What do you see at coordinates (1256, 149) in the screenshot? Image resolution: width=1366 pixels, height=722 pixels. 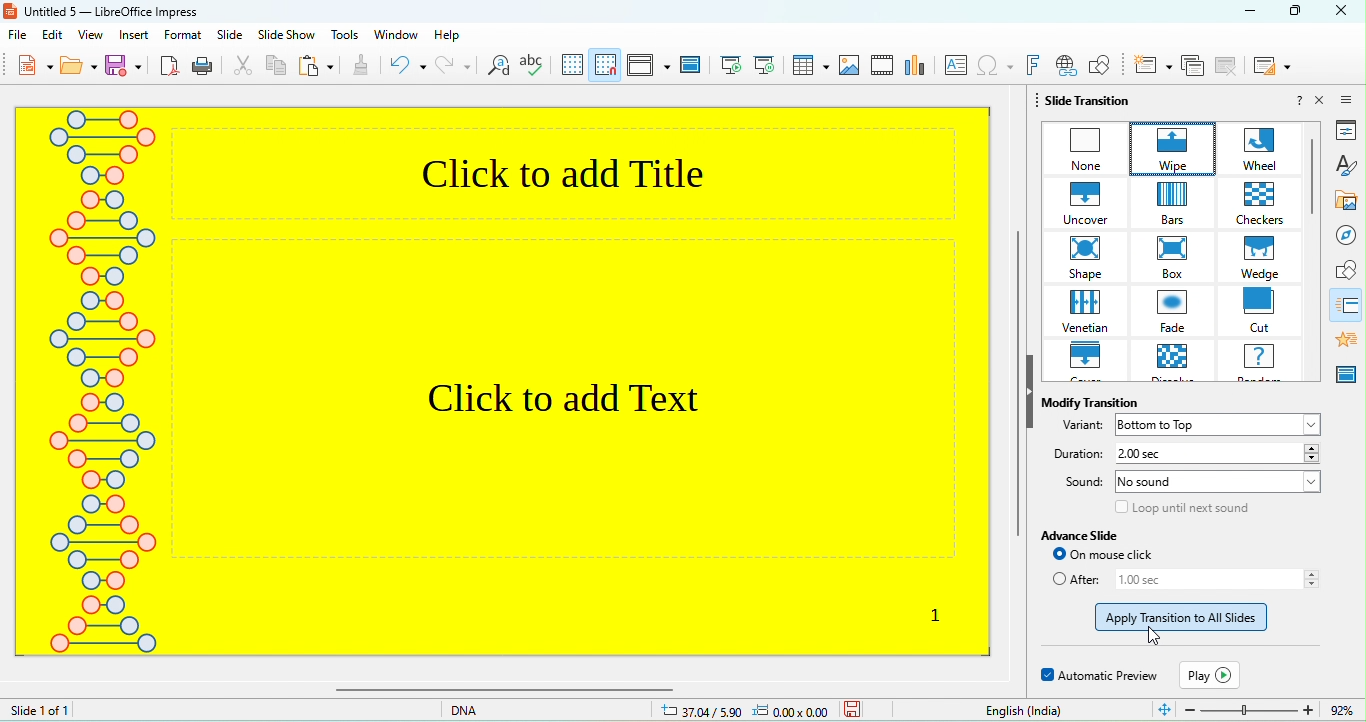 I see `wheel` at bounding box center [1256, 149].